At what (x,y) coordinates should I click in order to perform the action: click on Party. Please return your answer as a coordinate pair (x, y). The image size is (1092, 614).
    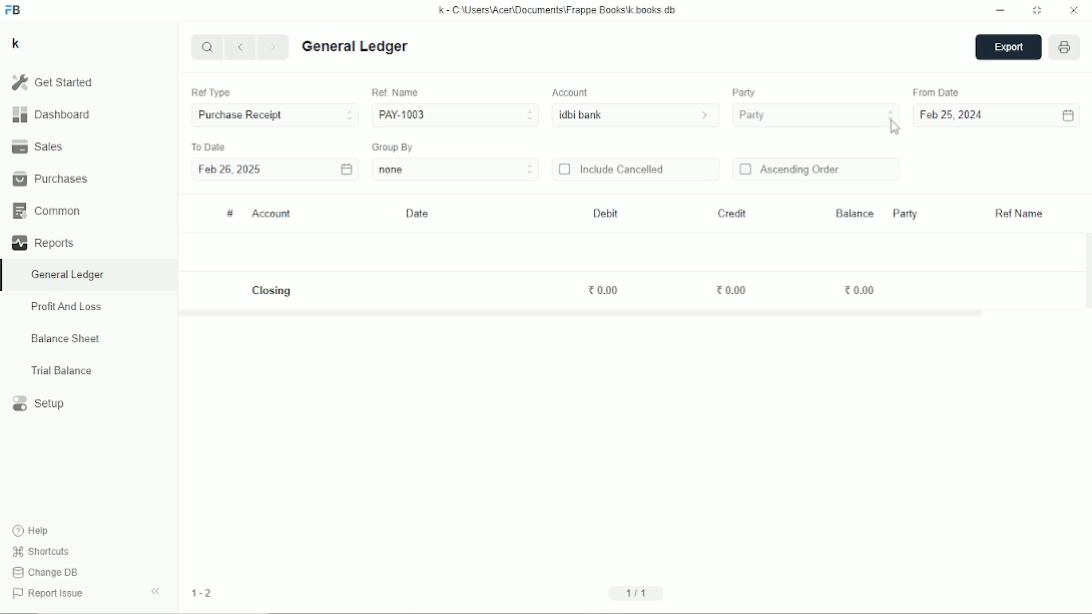
    Looking at the image, I should click on (904, 213).